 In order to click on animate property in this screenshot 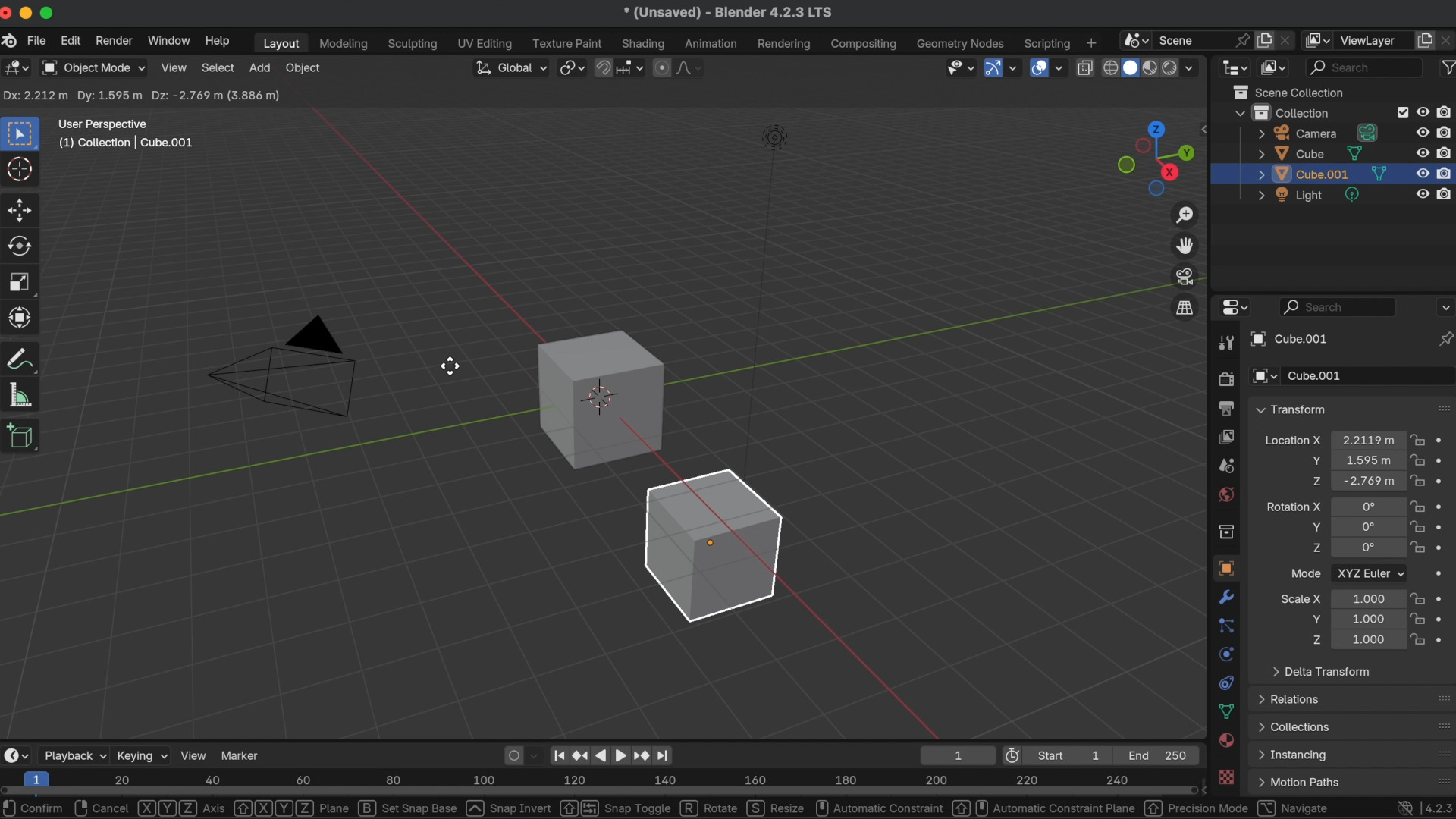, I will do `click(1446, 548)`.